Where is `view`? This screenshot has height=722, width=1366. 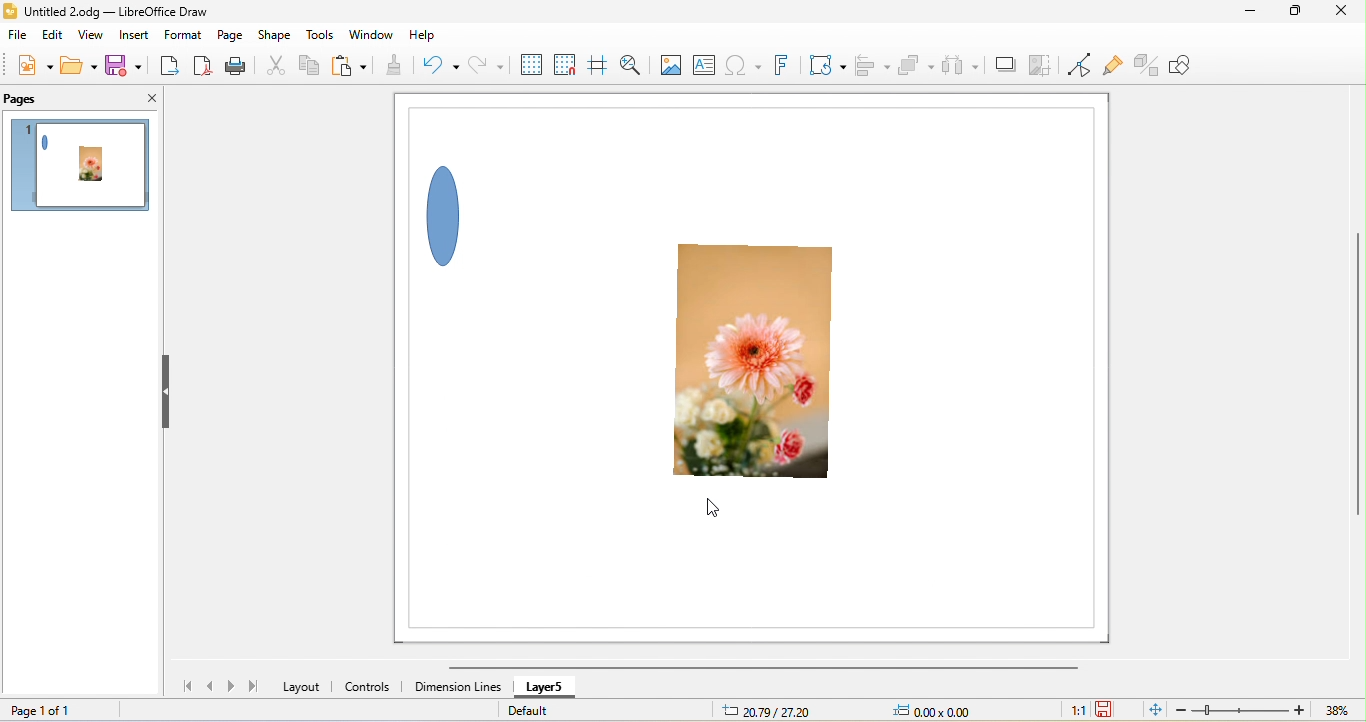
view is located at coordinates (91, 37).